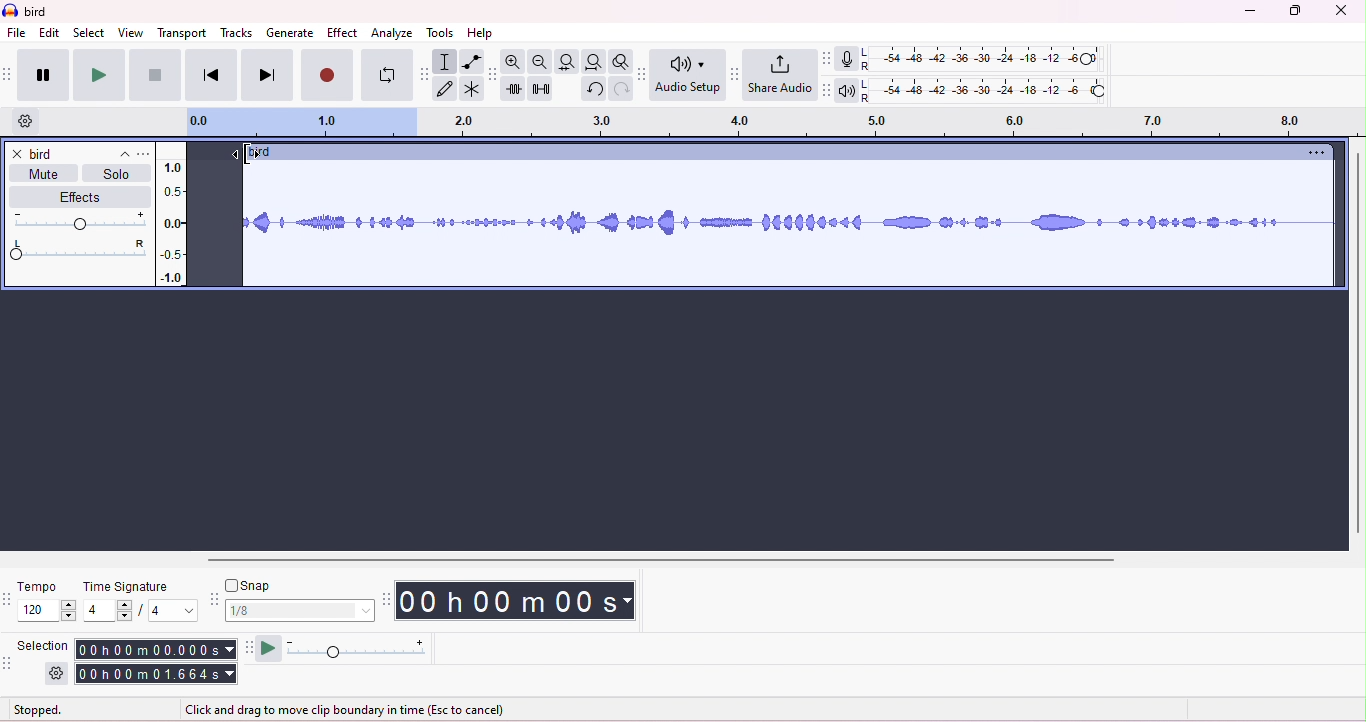 The height and width of the screenshot is (722, 1366). What do you see at coordinates (44, 177) in the screenshot?
I see `mute` at bounding box center [44, 177].